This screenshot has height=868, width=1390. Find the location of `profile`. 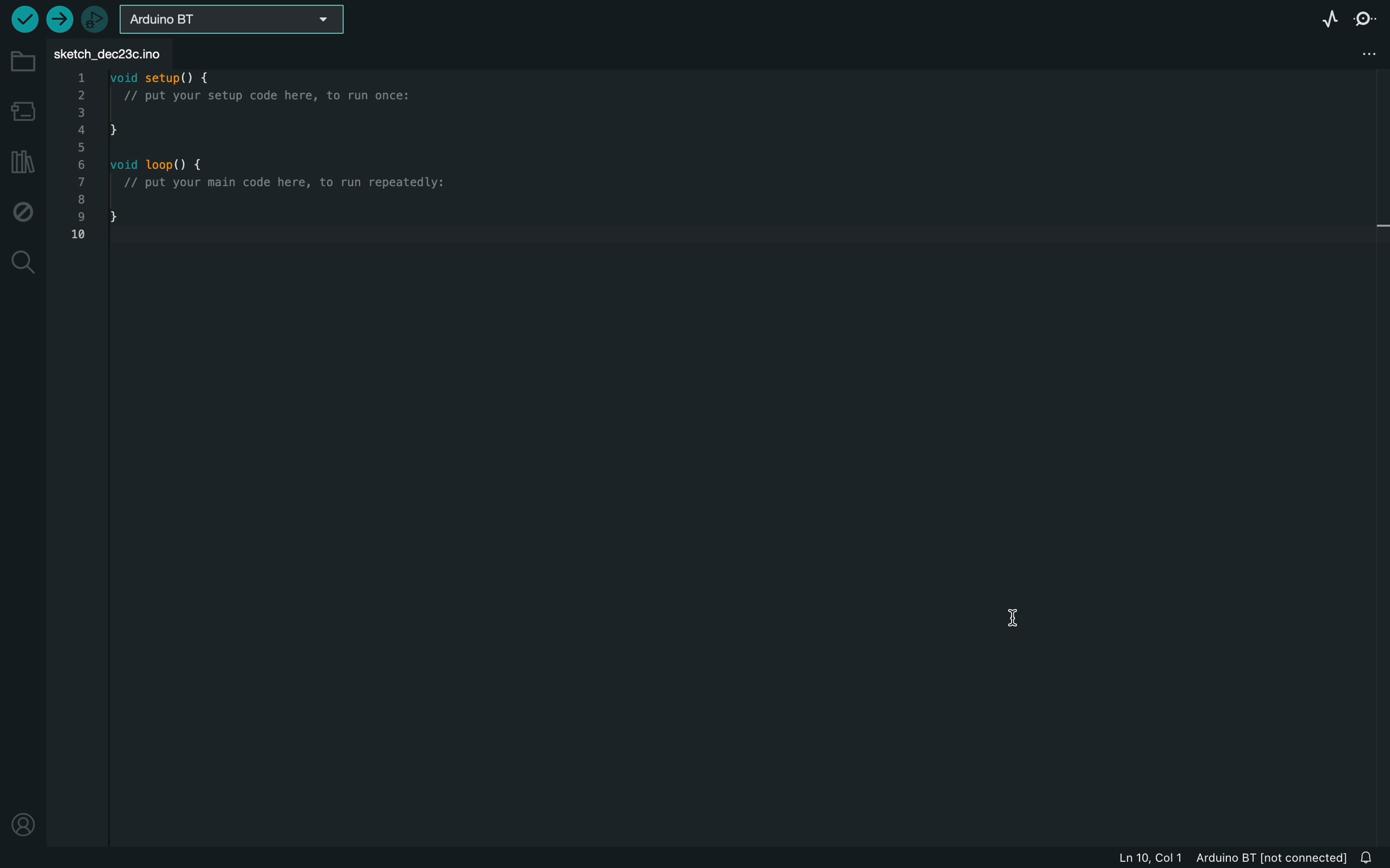

profile is located at coordinates (22, 816).